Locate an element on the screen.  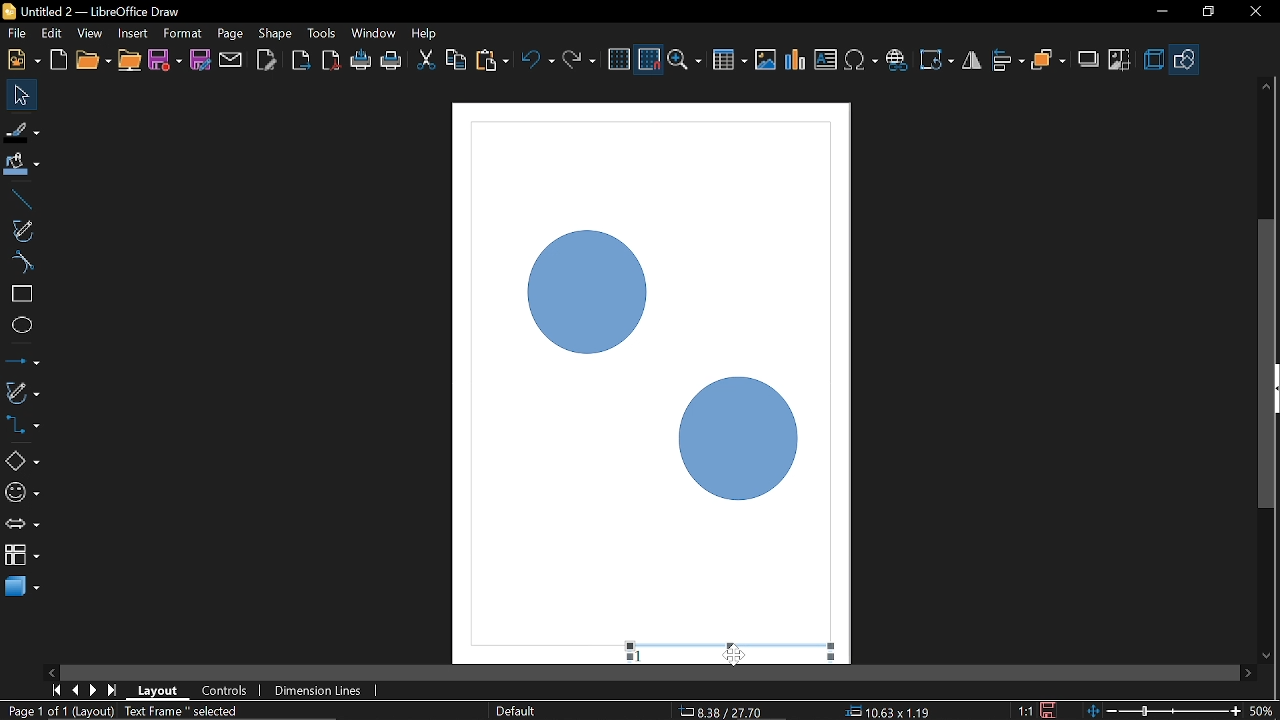
Save as is located at coordinates (200, 60).